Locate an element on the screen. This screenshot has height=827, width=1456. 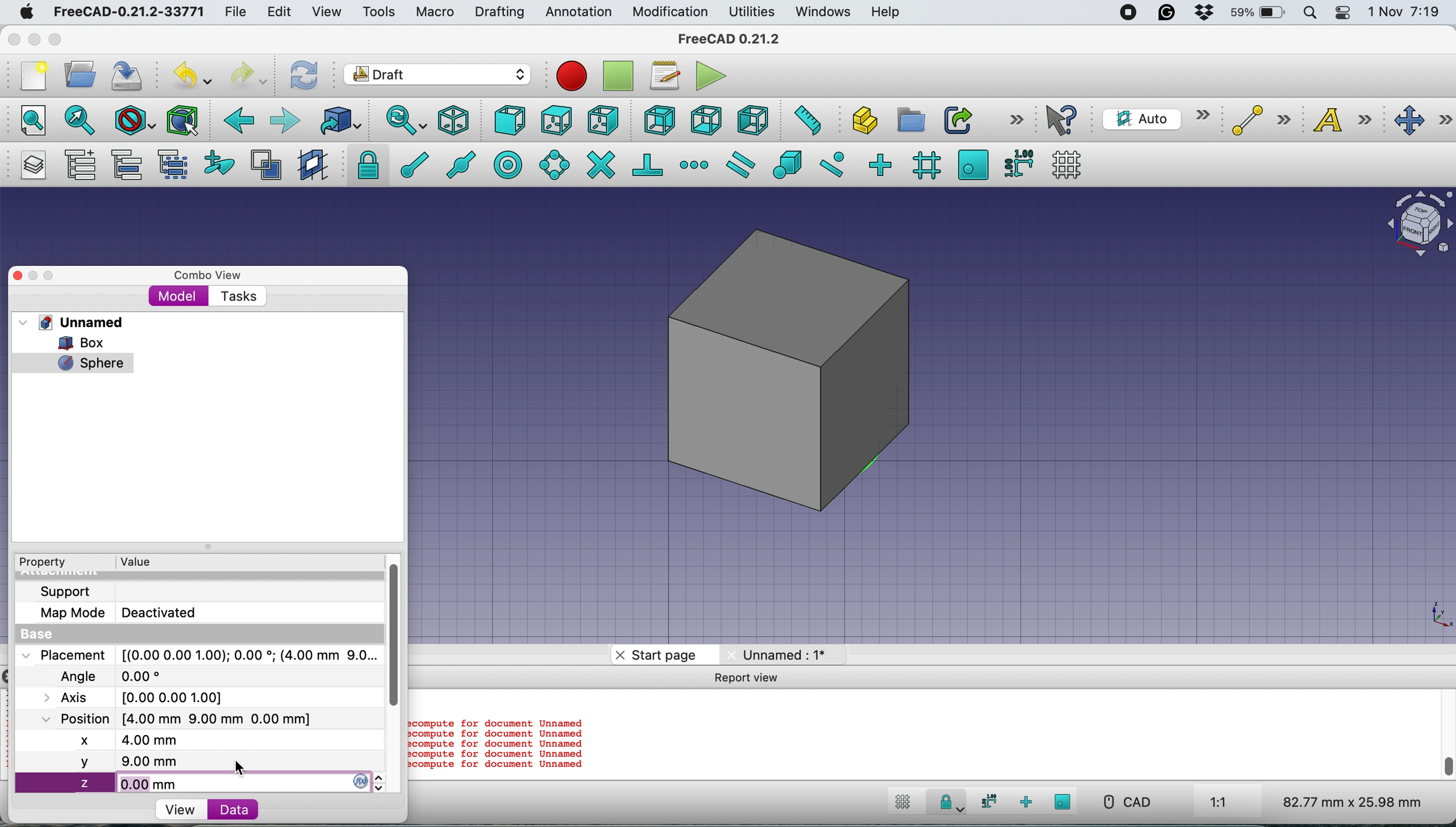
data is located at coordinates (233, 809).